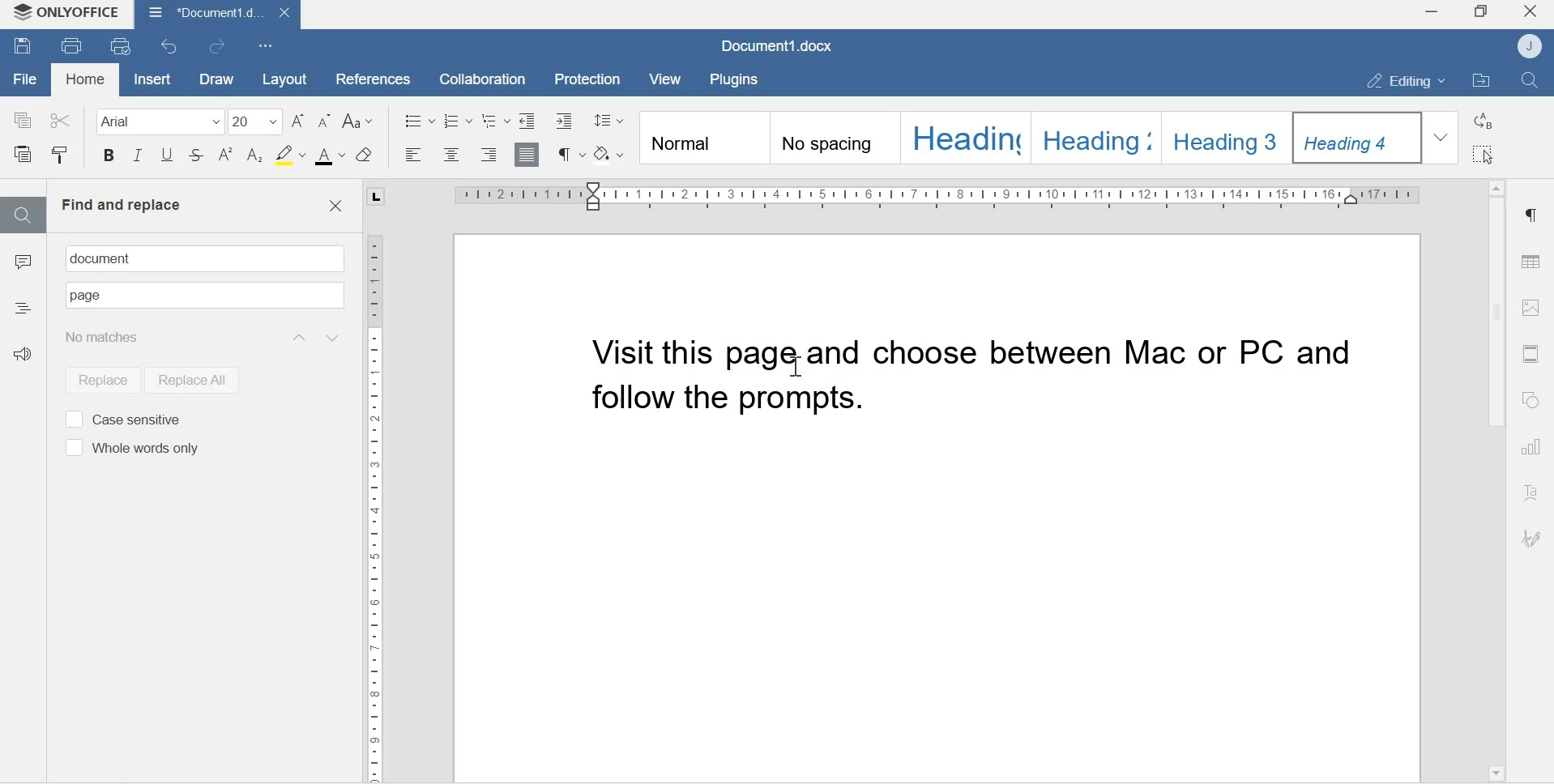 The height and width of the screenshot is (784, 1554). I want to click on Paragraph line spacing, so click(608, 117).